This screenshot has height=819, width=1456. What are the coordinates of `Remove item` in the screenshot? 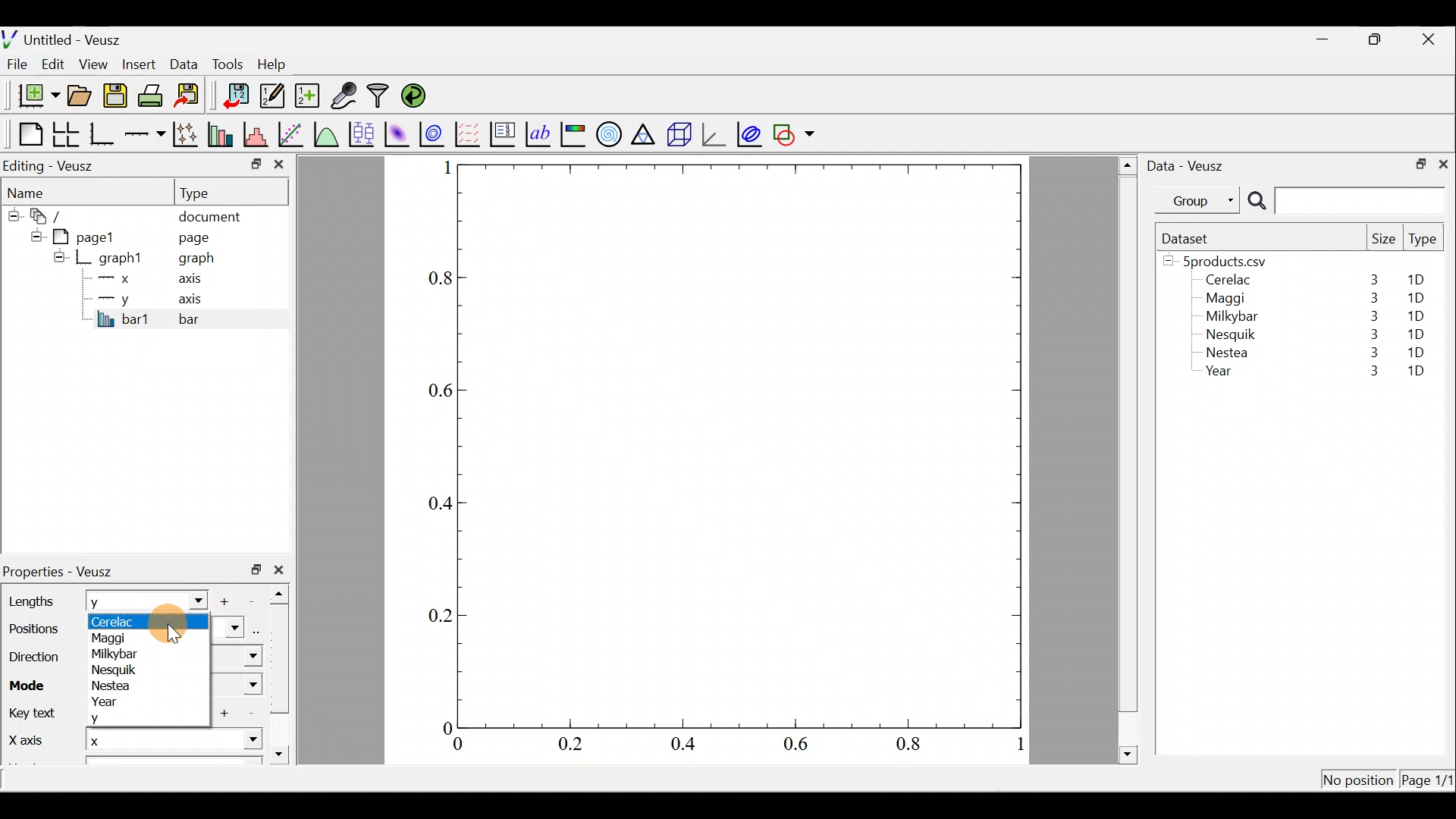 It's located at (256, 600).